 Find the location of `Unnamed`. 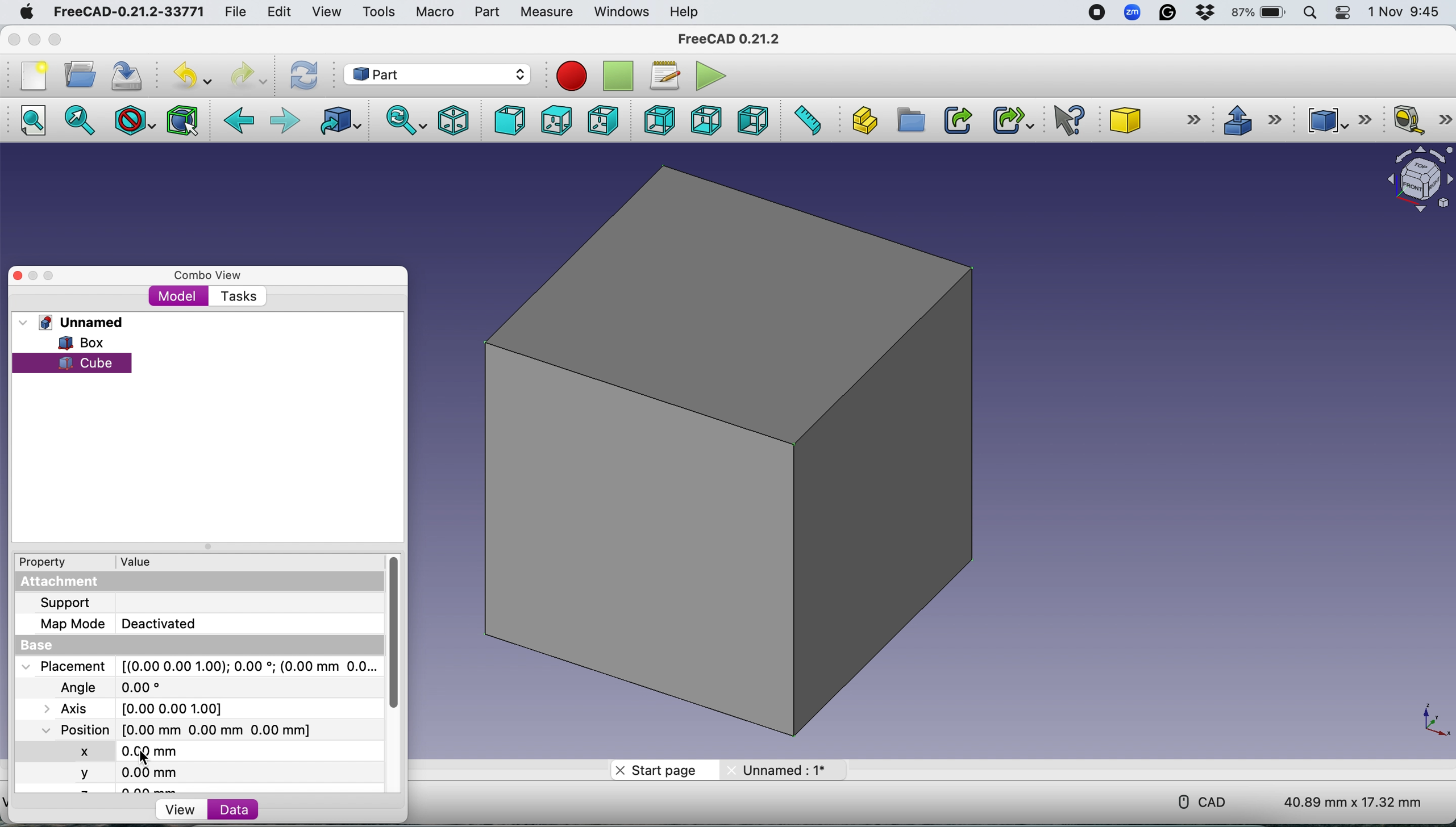

Unnamed is located at coordinates (782, 769).